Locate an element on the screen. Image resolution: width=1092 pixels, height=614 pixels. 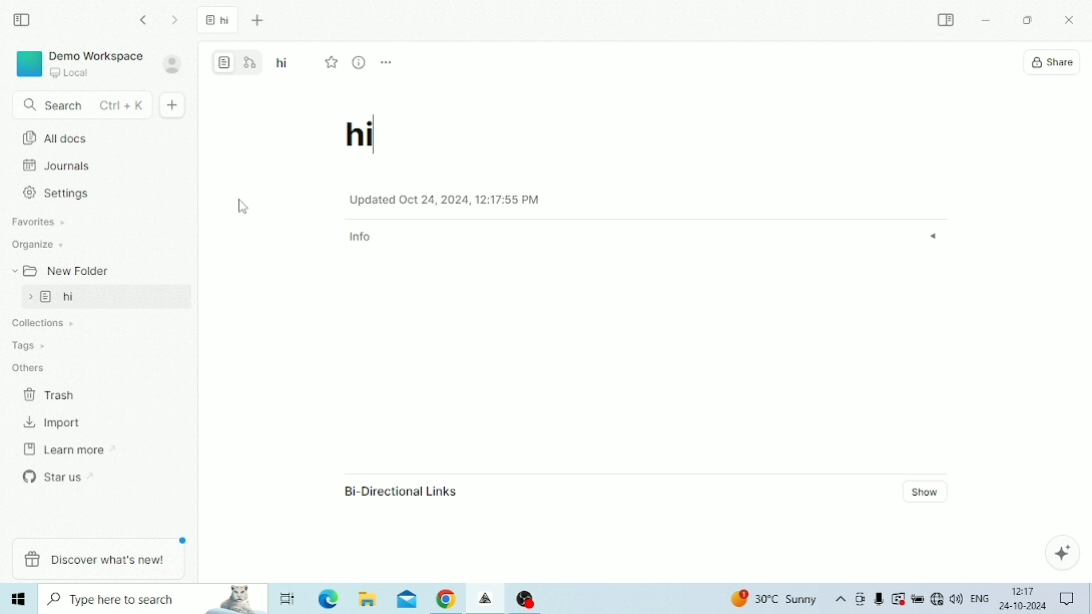
Expand sidebar is located at coordinates (947, 19).